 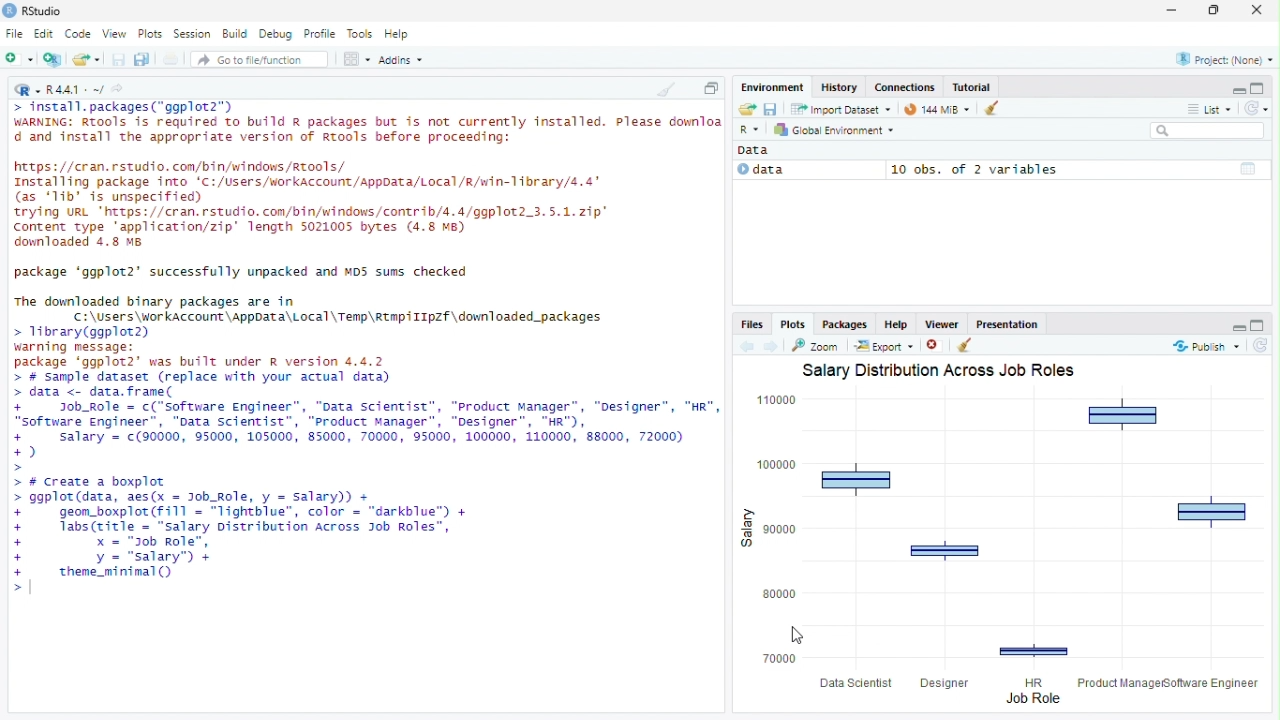 What do you see at coordinates (118, 59) in the screenshot?
I see `Save current document` at bounding box center [118, 59].